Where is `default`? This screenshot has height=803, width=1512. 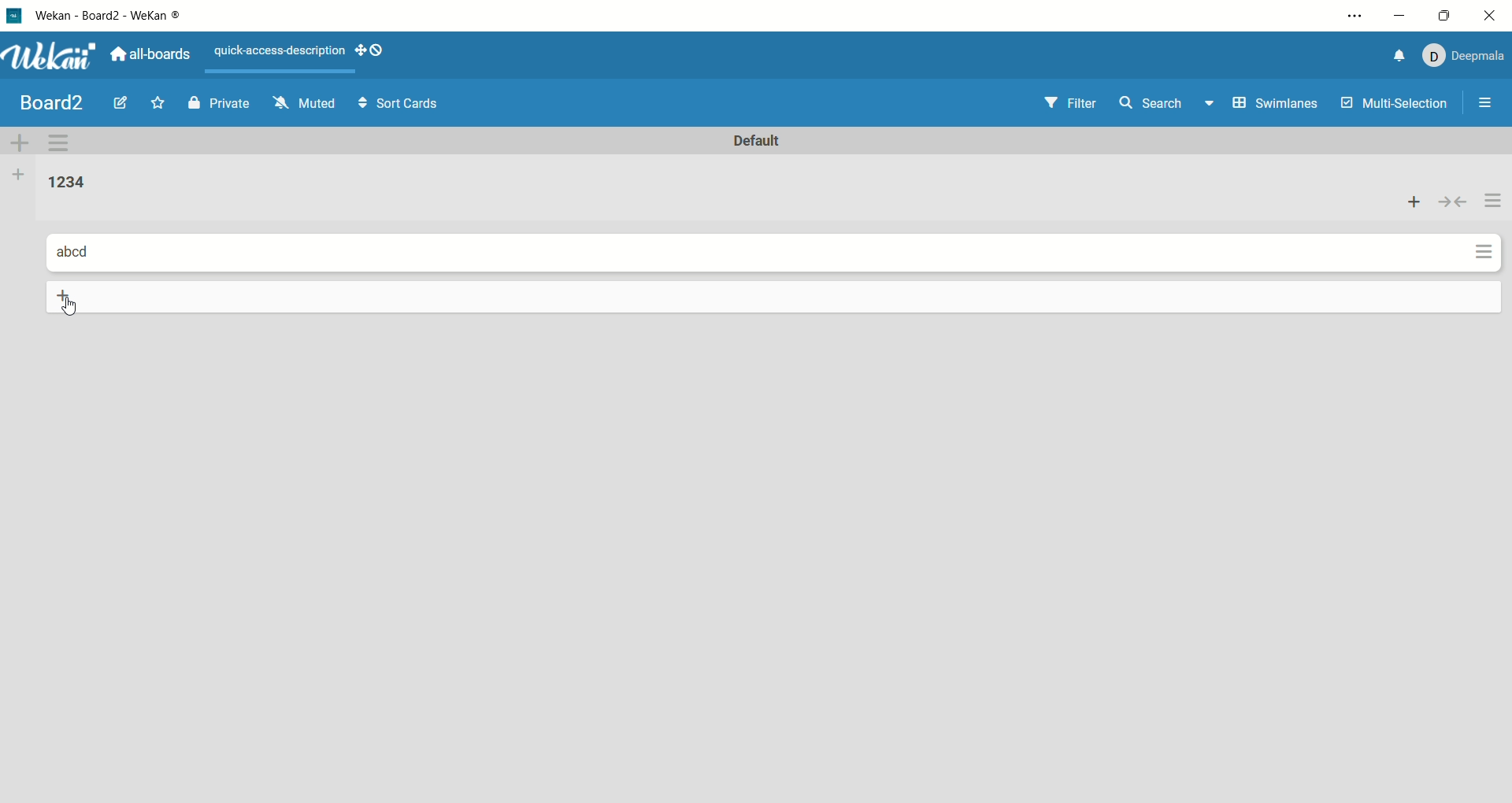 default is located at coordinates (755, 139).